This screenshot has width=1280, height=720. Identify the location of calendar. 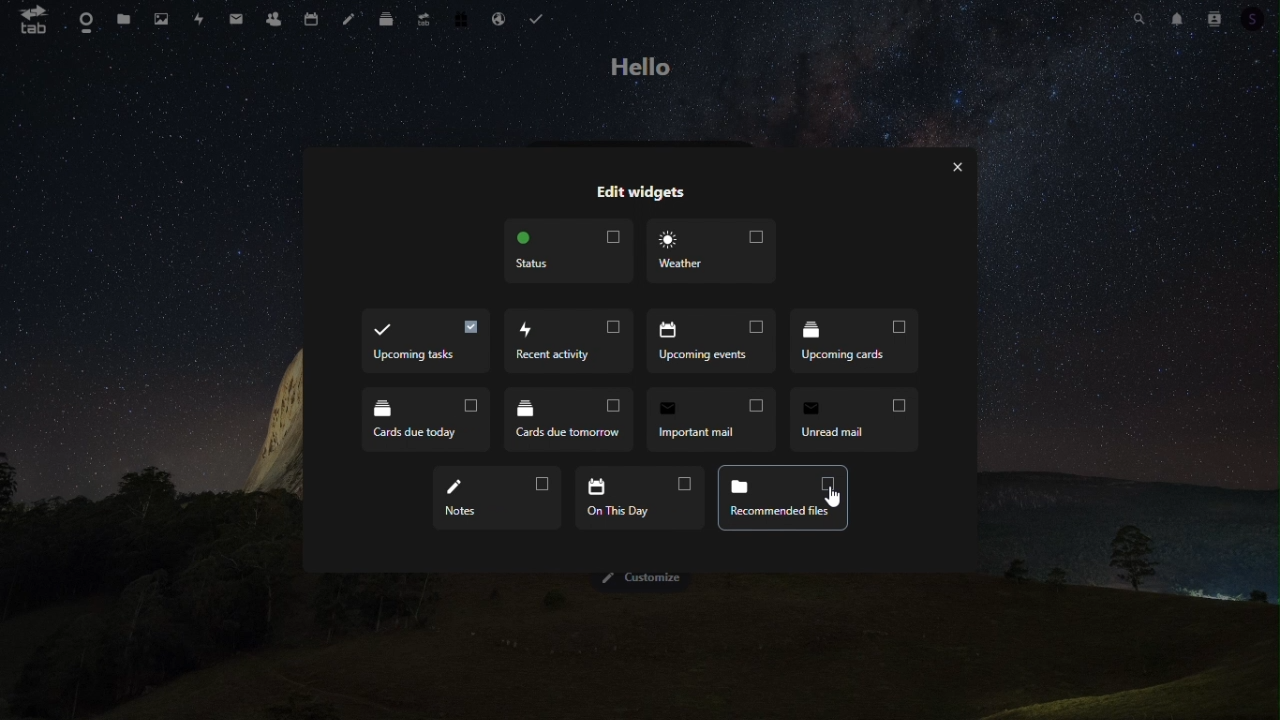
(314, 19).